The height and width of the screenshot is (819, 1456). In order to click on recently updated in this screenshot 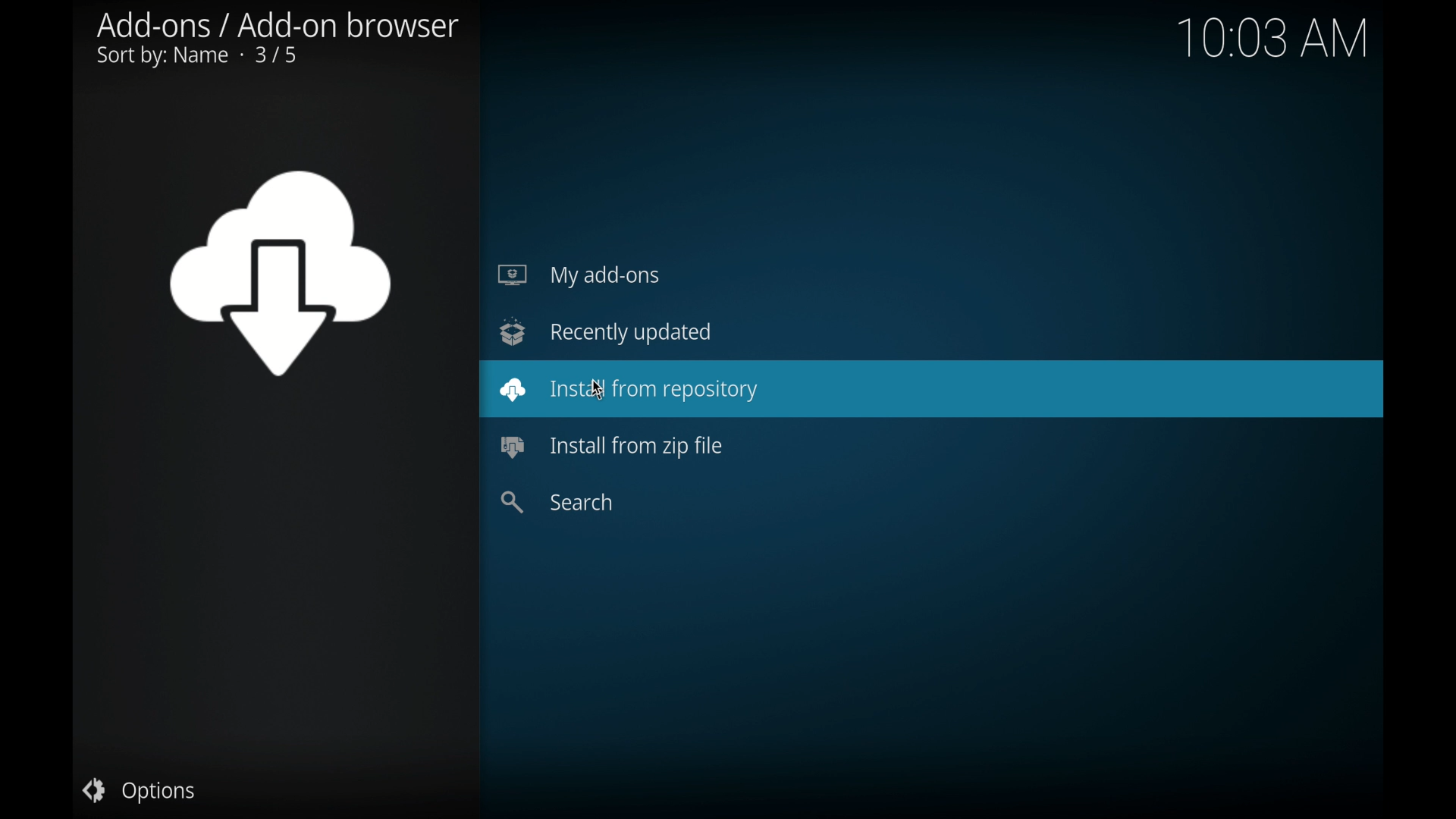, I will do `click(605, 331)`.